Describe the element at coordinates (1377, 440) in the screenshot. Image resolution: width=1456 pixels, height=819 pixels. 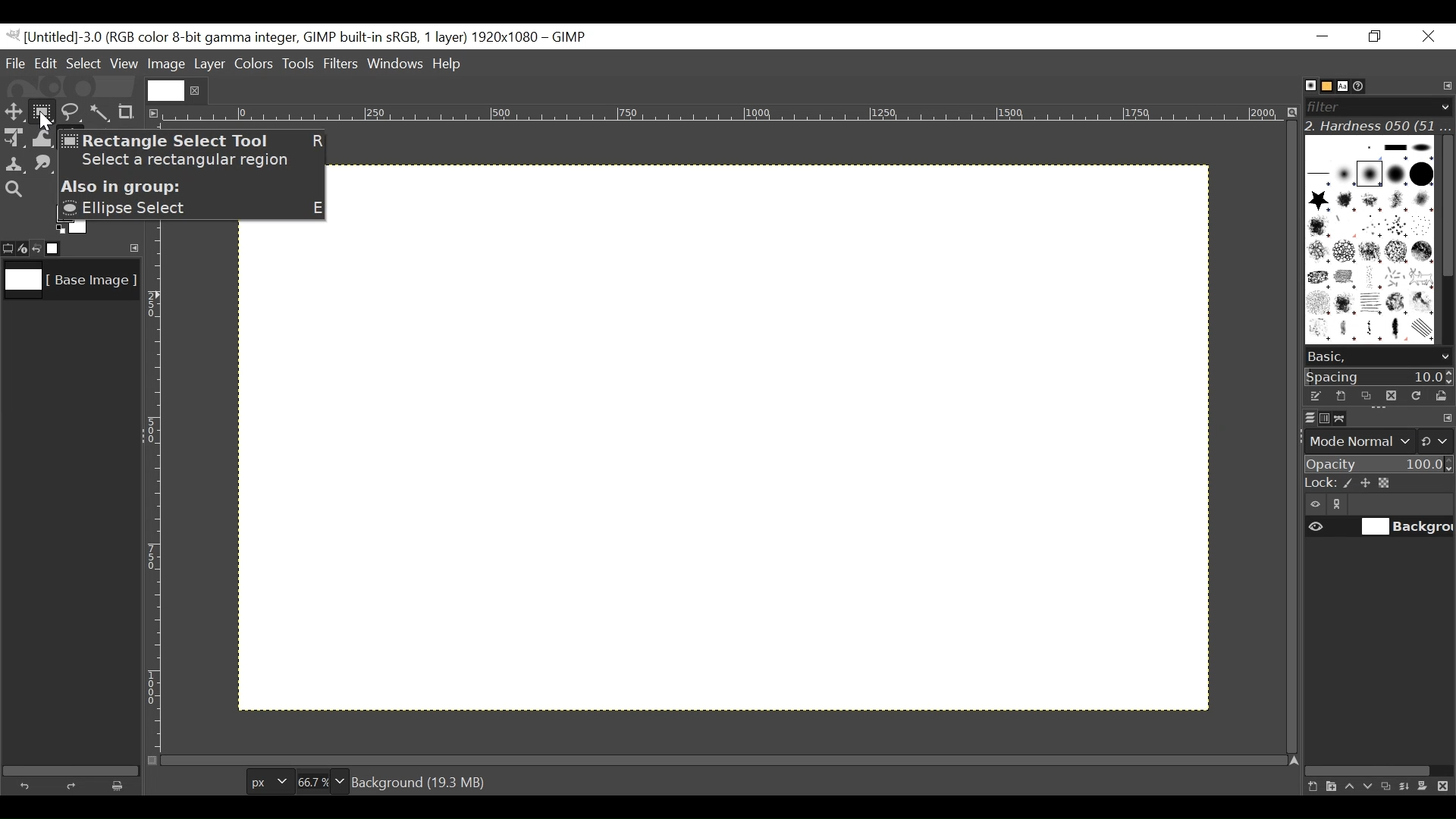
I see `Mode normal` at that location.